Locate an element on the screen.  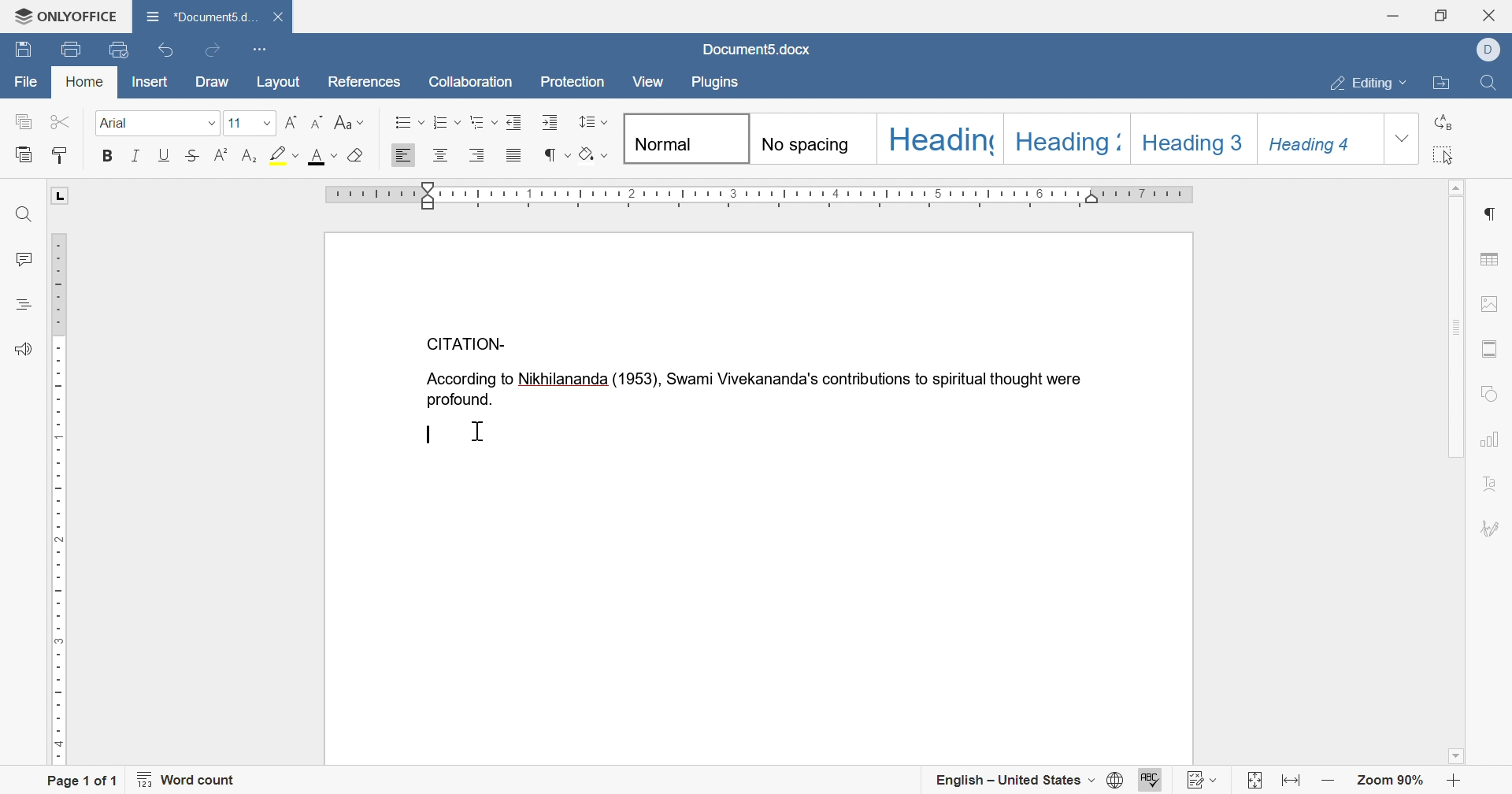
feedback and support is located at coordinates (20, 351).